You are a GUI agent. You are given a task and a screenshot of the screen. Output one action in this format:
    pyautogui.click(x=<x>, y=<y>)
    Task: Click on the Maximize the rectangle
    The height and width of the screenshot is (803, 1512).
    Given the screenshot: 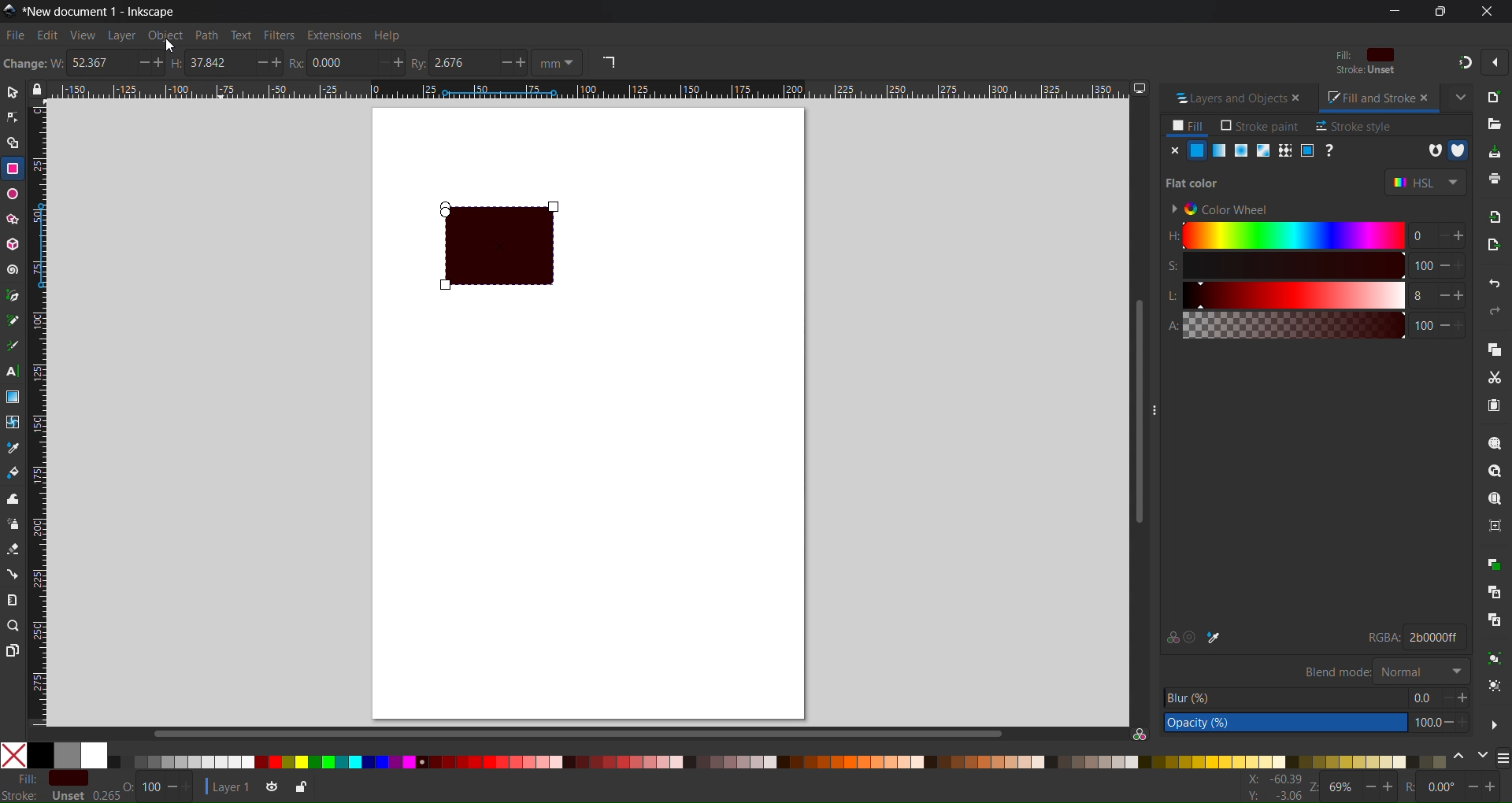 What is the action you would take?
    pyautogui.click(x=280, y=63)
    